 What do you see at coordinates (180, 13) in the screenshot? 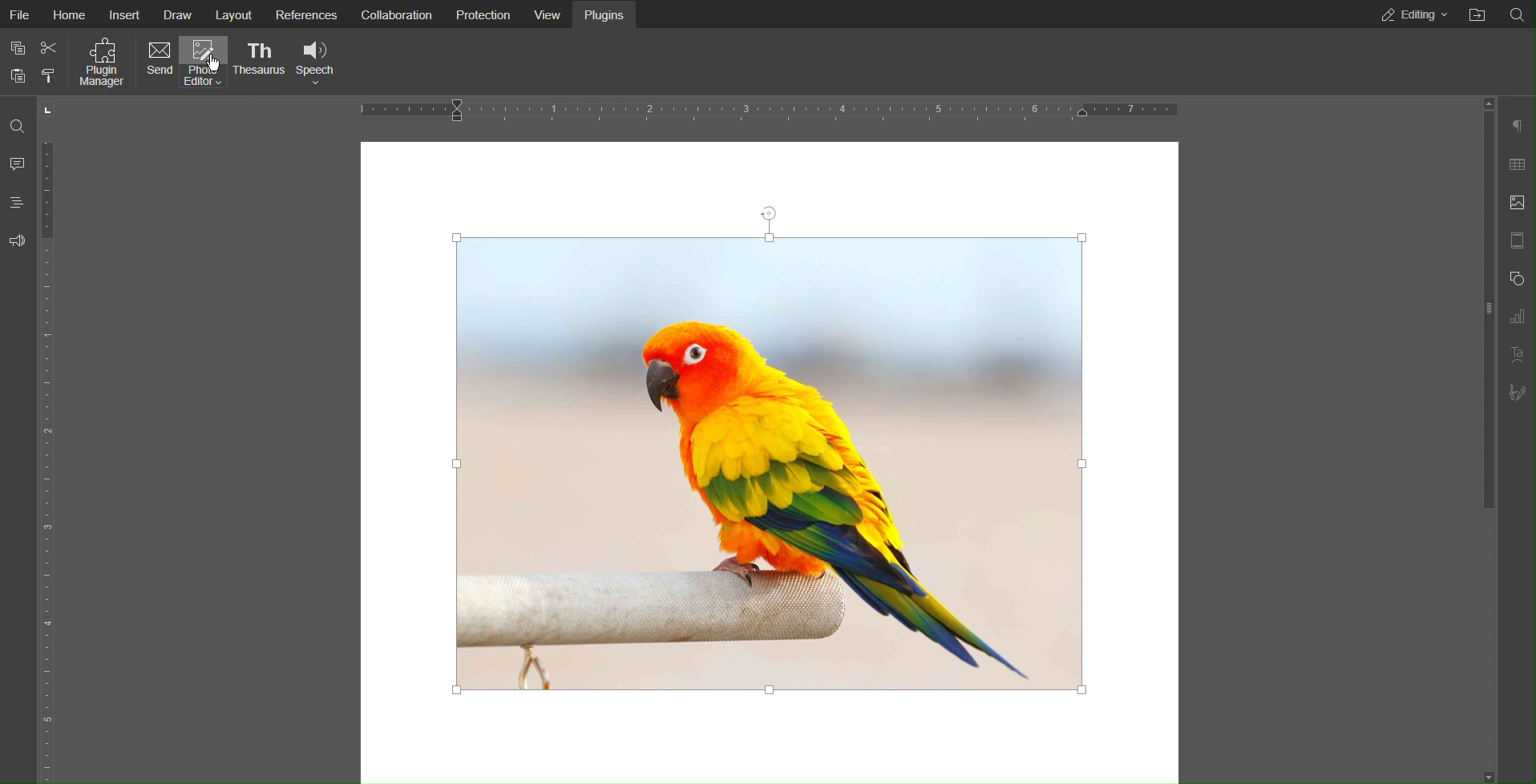
I see `Draw` at bounding box center [180, 13].